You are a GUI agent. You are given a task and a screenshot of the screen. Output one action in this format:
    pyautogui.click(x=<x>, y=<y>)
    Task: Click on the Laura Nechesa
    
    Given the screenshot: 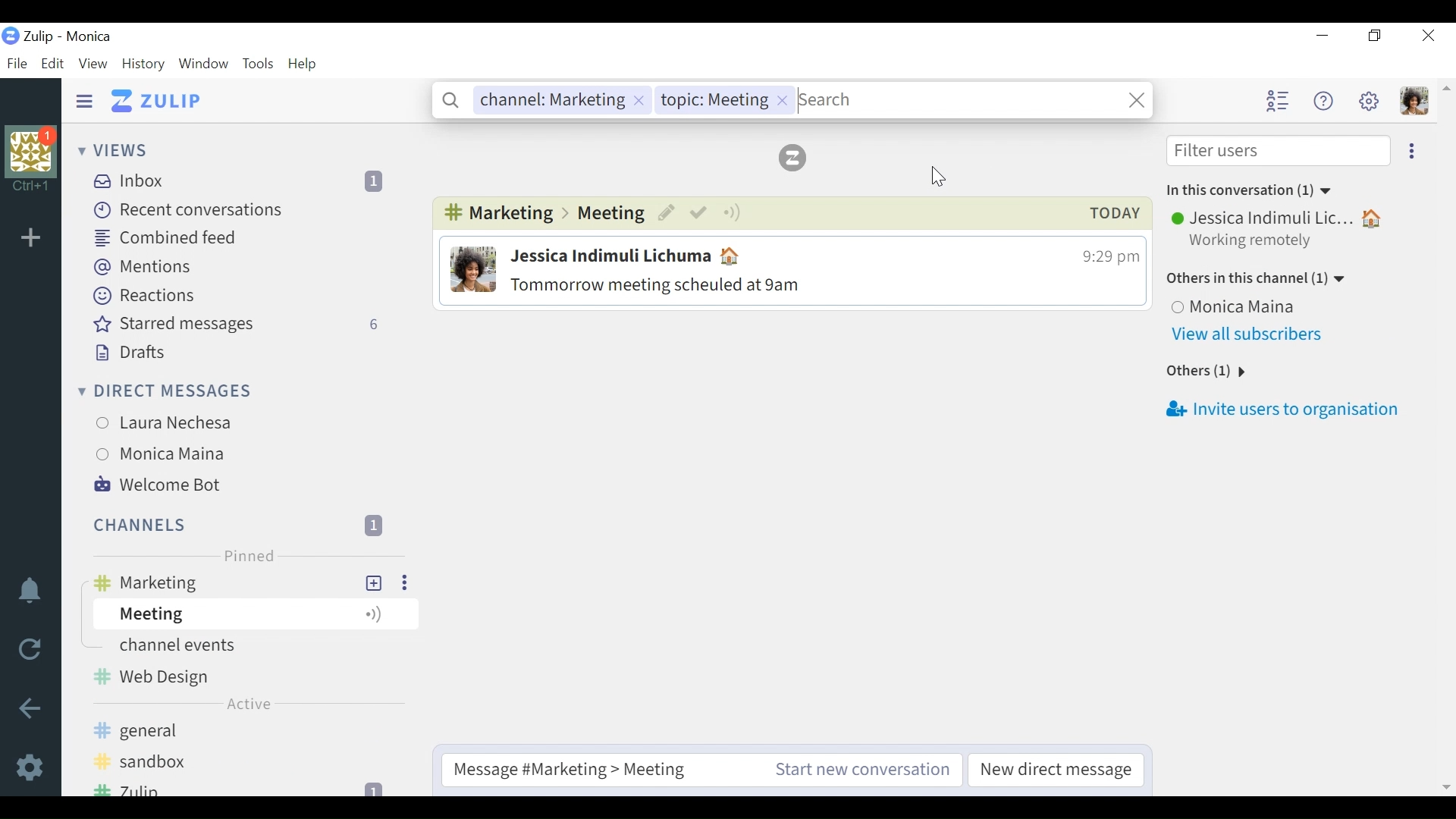 What is the action you would take?
    pyautogui.click(x=207, y=422)
    